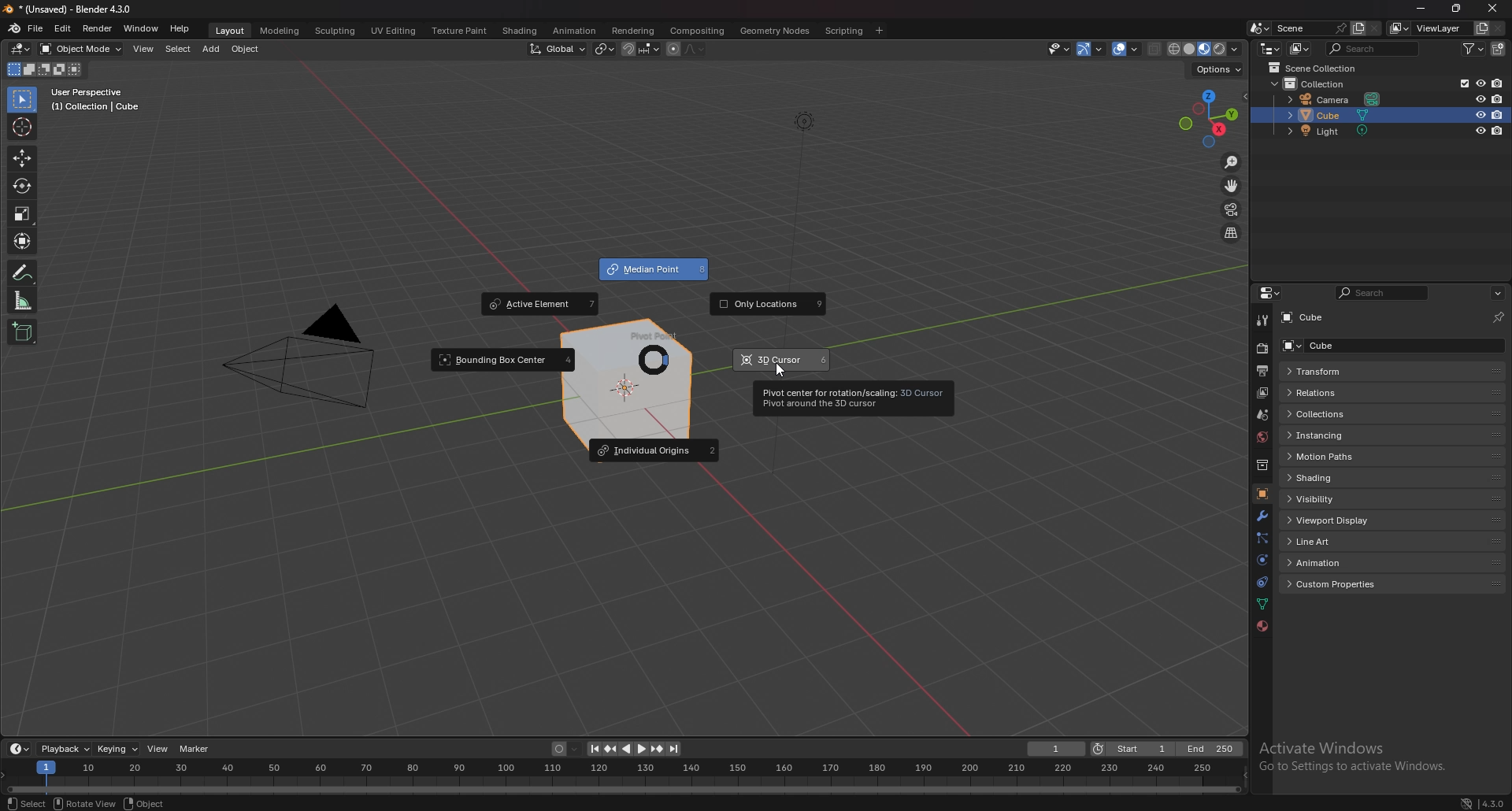 The height and width of the screenshot is (811, 1512). Describe the element at coordinates (1462, 83) in the screenshot. I see `exclude from view layer` at that location.